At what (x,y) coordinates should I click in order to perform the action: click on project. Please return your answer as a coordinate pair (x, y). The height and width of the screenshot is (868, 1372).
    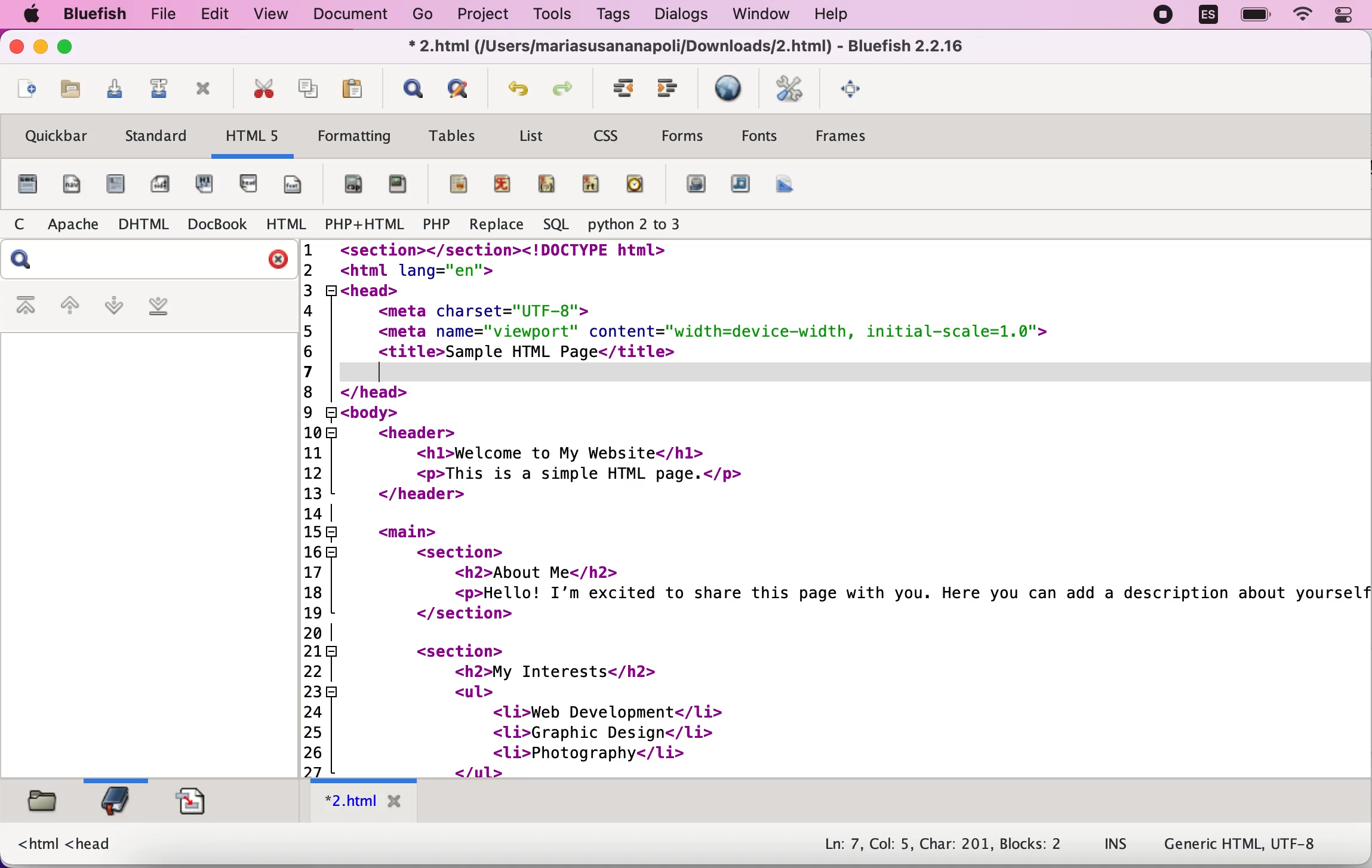
    Looking at the image, I should click on (485, 15).